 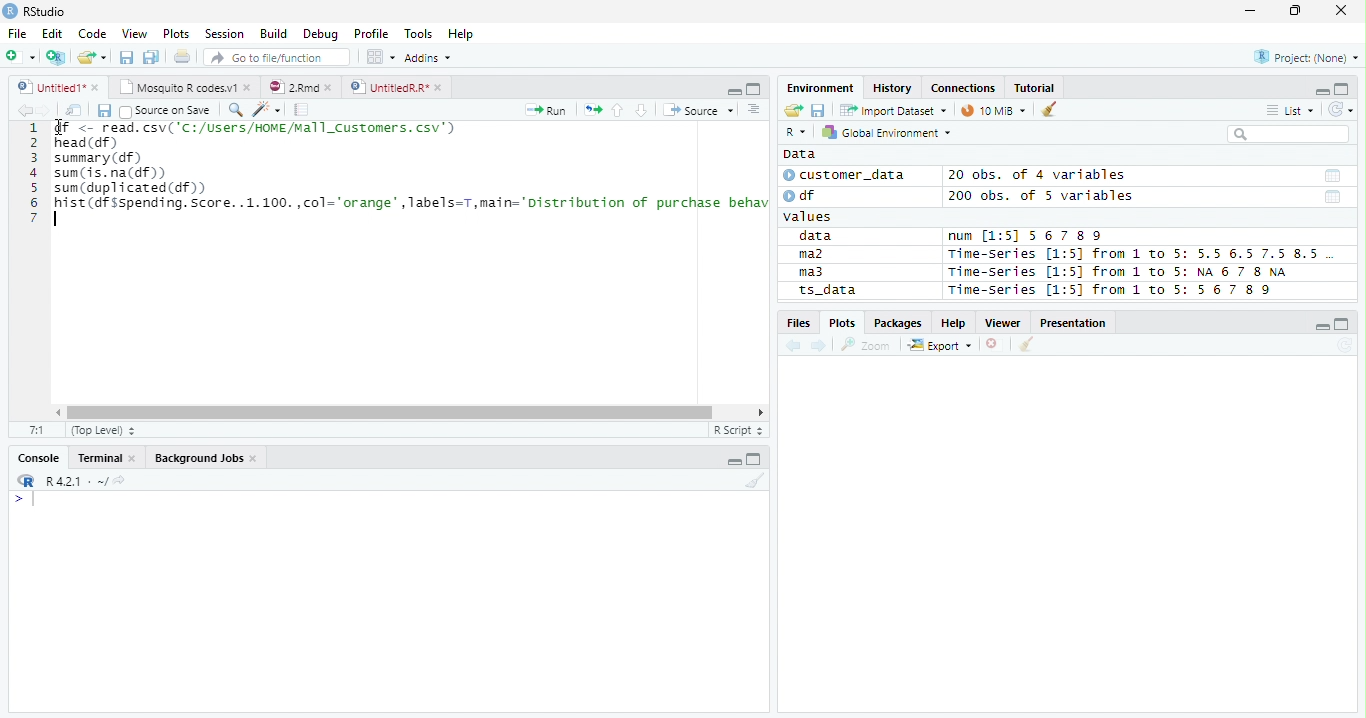 What do you see at coordinates (1343, 89) in the screenshot?
I see `Maximize` at bounding box center [1343, 89].